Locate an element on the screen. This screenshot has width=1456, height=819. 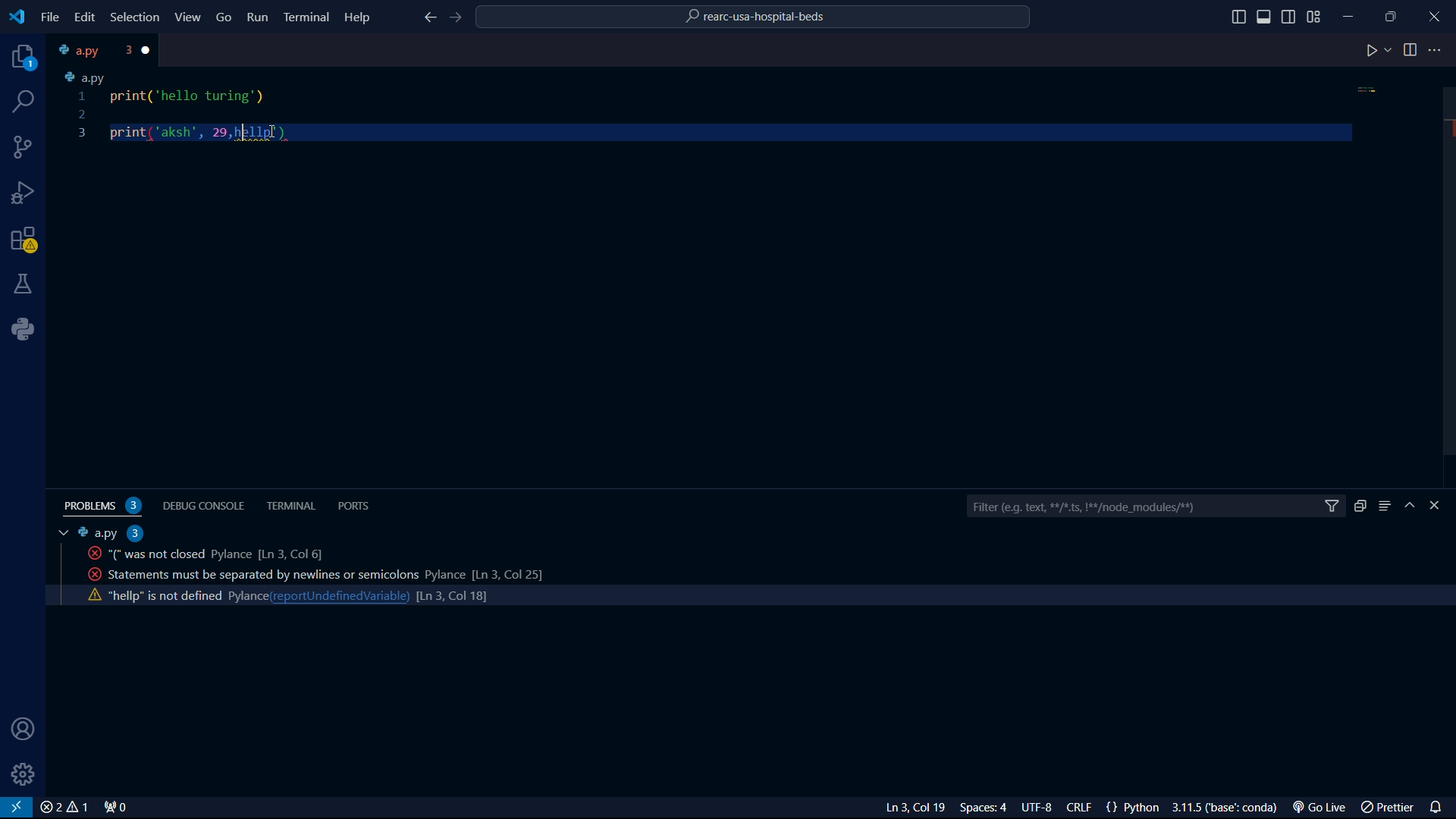
notifications is located at coordinates (1439, 805).